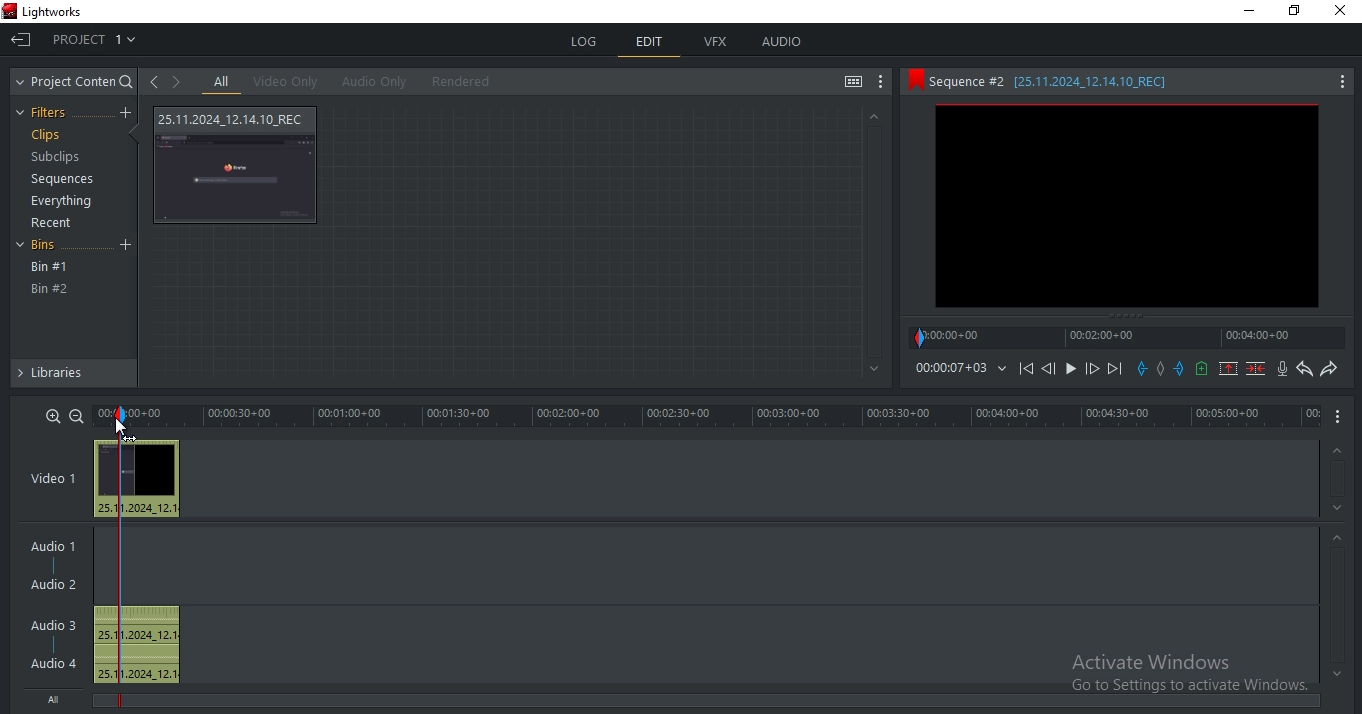 The image size is (1362, 714). I want to click on Up, so click(1338, 537).